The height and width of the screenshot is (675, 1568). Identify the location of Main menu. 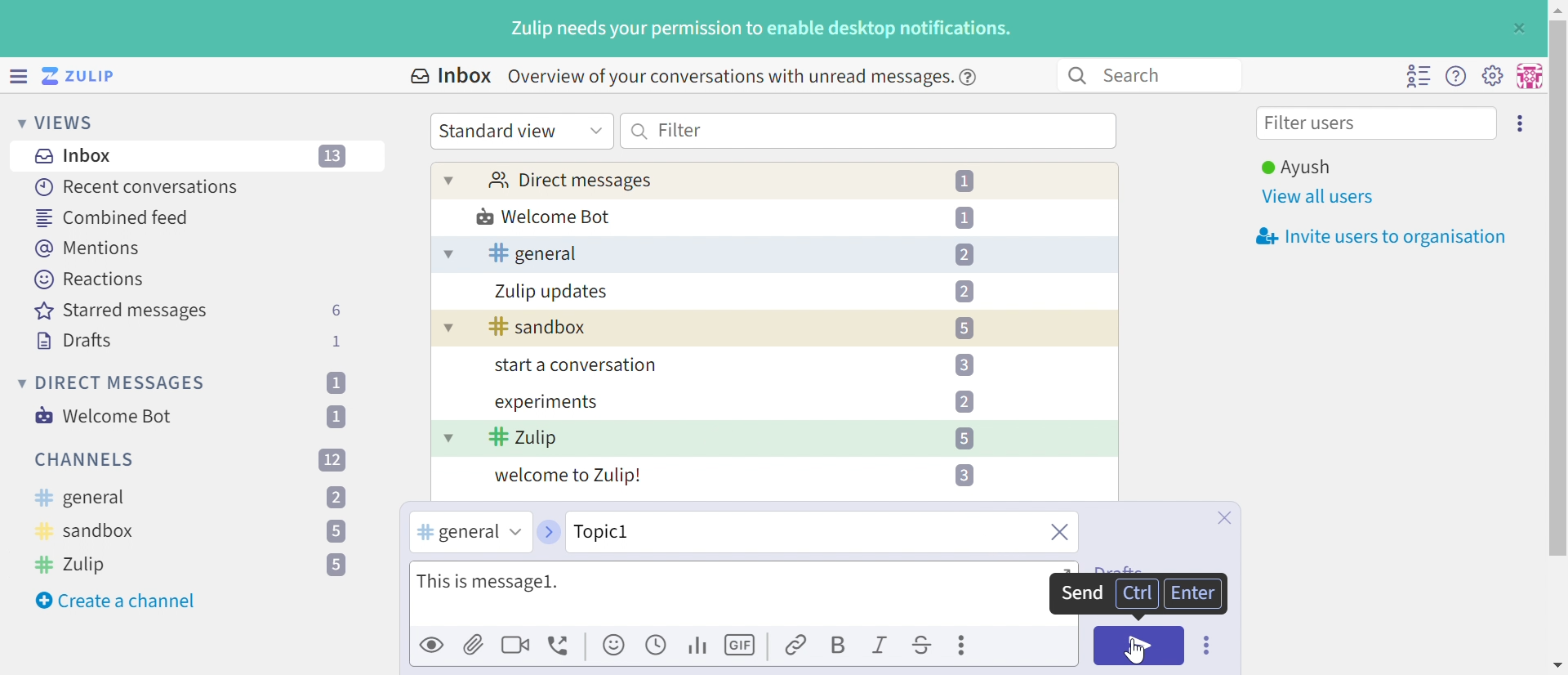
(1492, 74).